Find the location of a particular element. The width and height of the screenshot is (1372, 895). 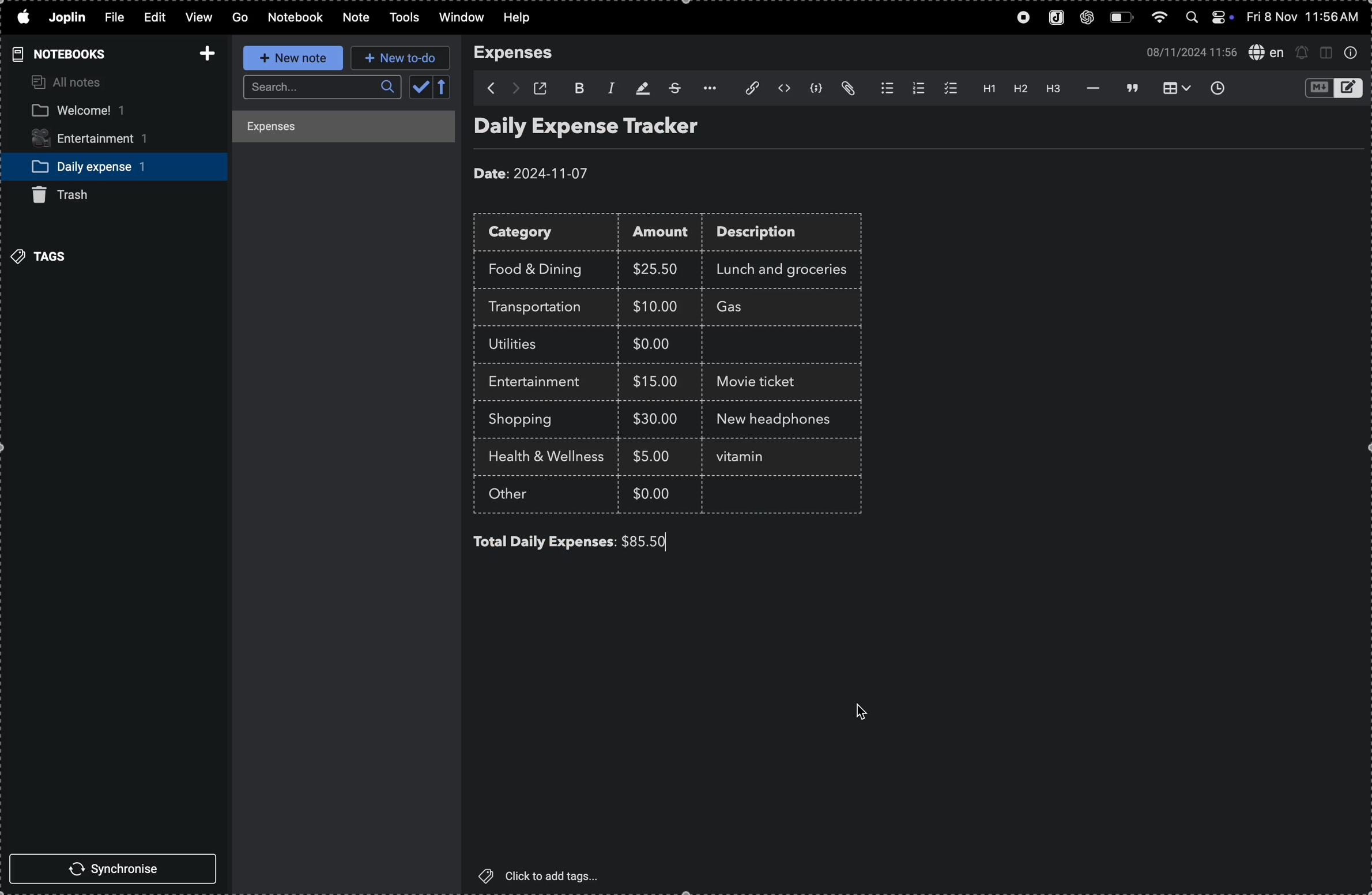

category is located at coordinates (548, 234).